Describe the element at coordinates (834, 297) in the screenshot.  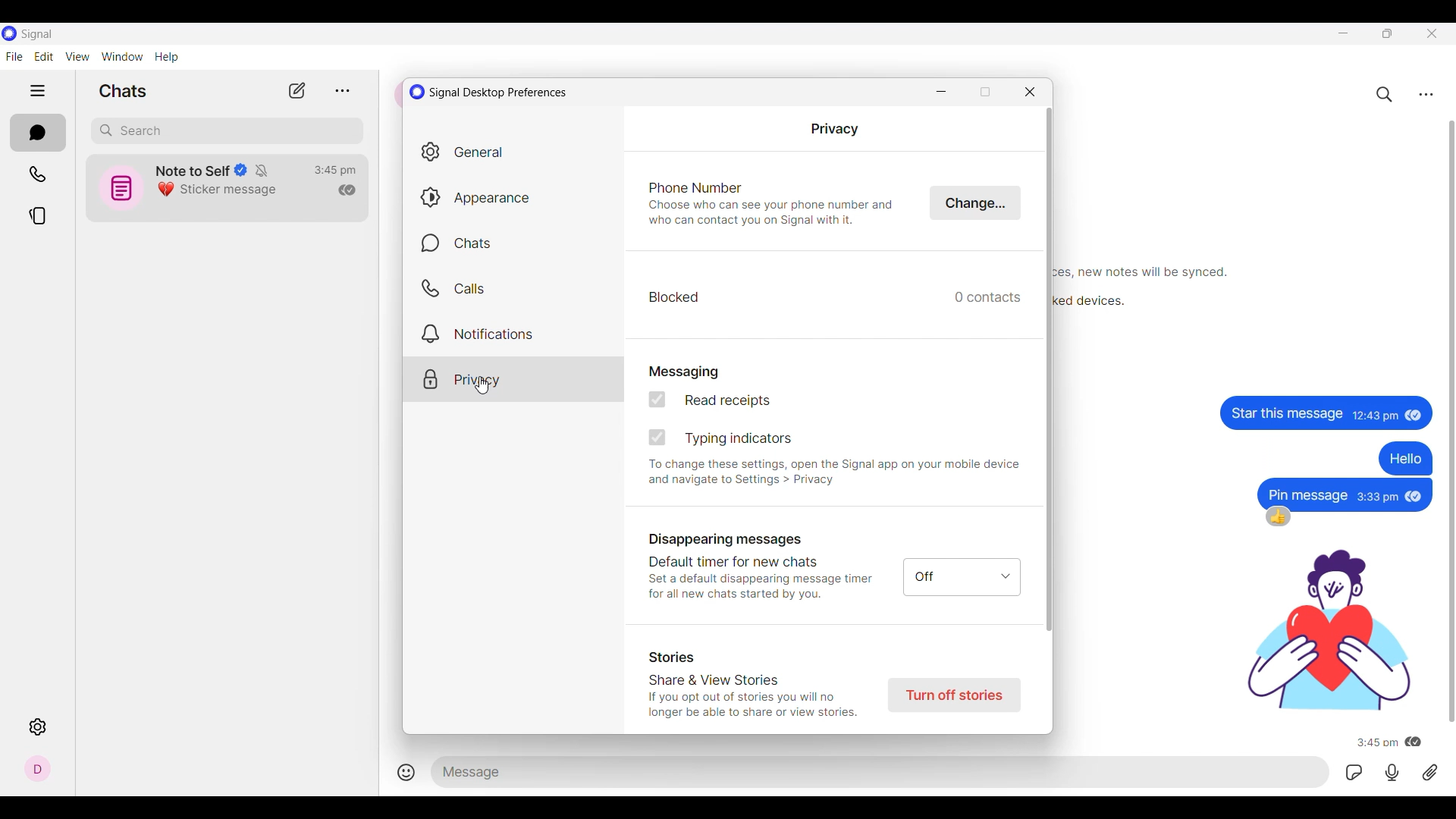
I see `Blocked contacts` at that location.